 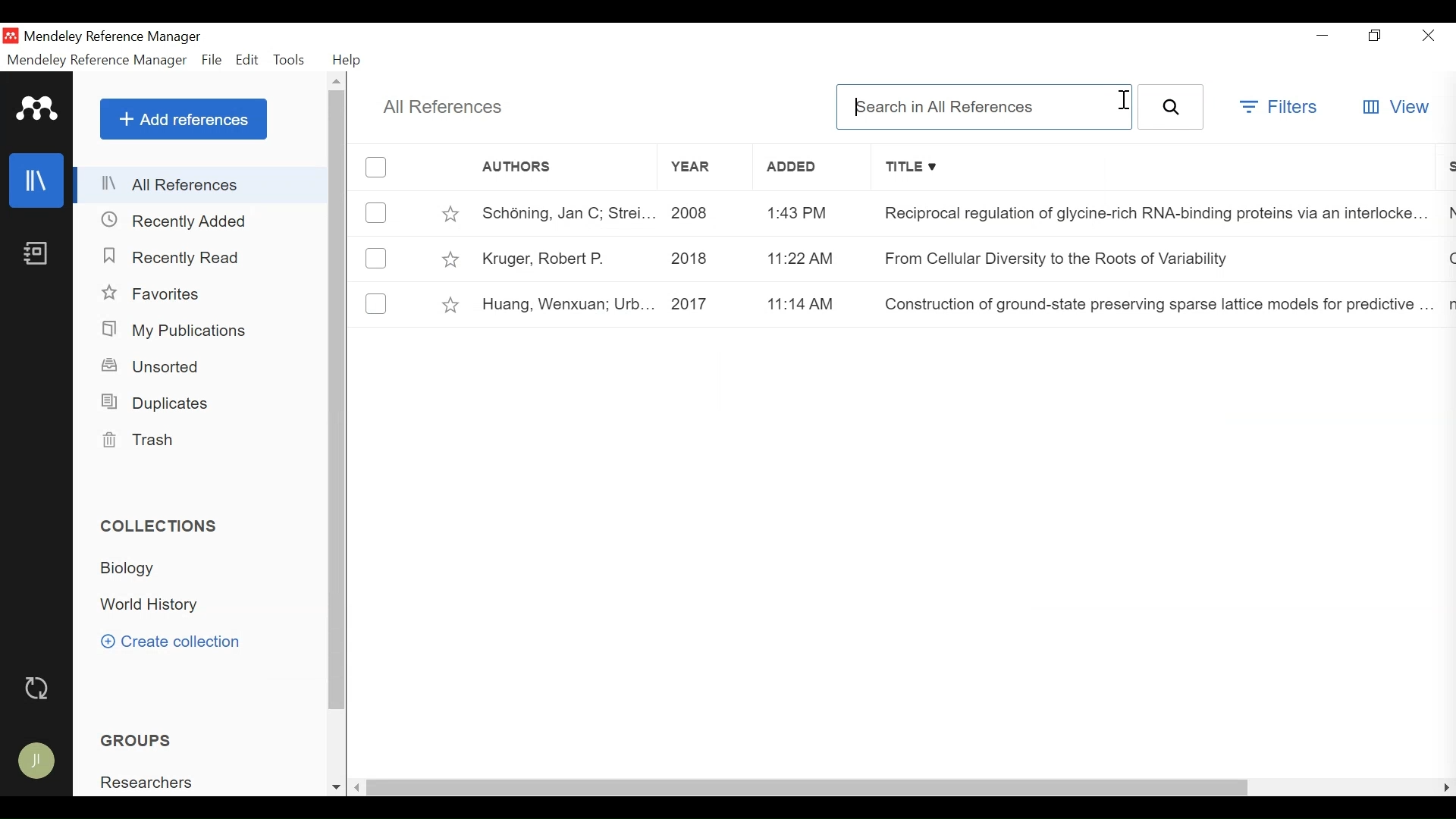 What do you see at coordinates (809, 789) in the screenshot?
I see `Horizontal Scroll bar` at bounding box center [809, 789].